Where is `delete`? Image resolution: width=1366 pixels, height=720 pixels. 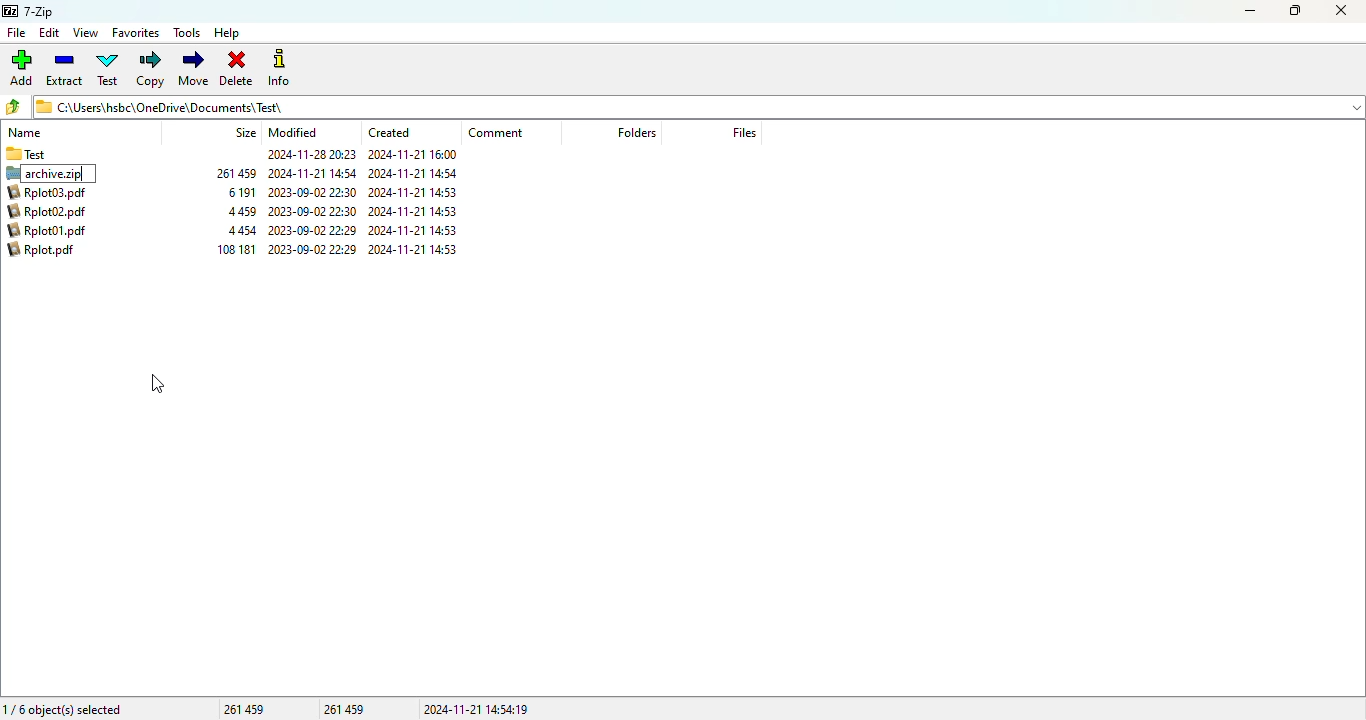
delete is located at coordinates (237, 68).